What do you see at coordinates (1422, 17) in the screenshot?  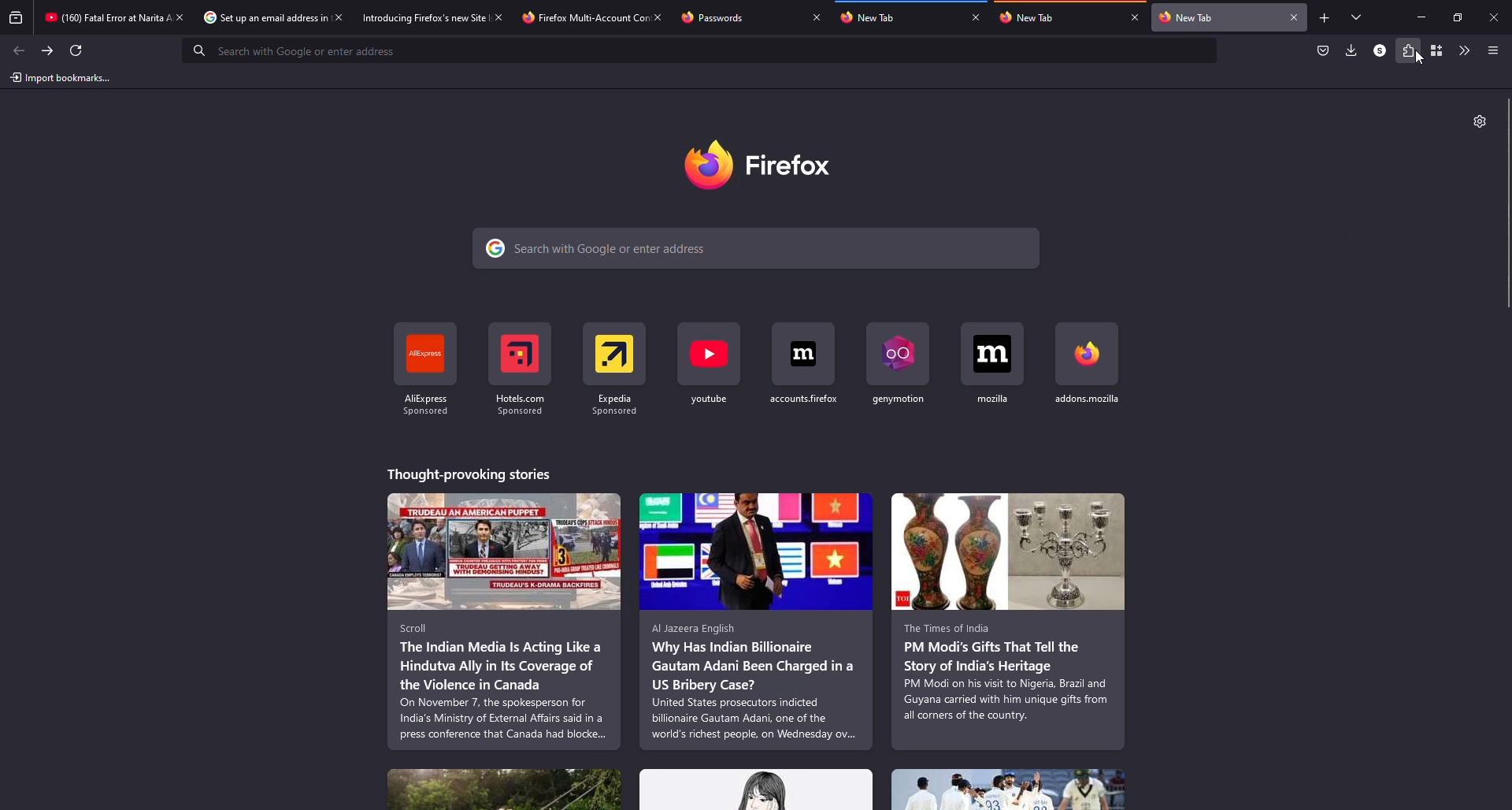 I see `minimize` at bounding box center [1422, 17].